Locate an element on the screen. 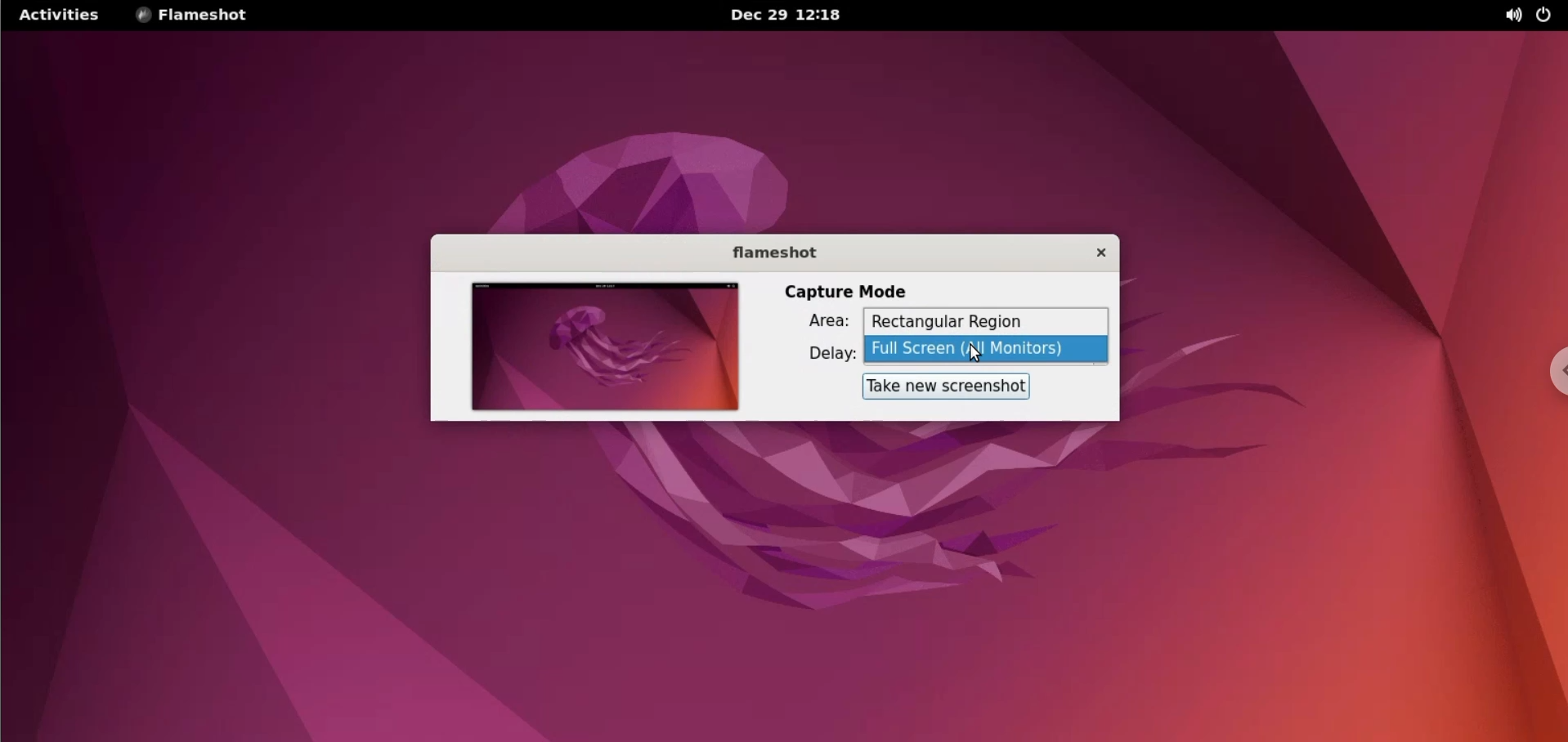 Image resolution: width=1568 pixels, height=742 pixels. Date and time Dec 29 12:18 is located at coordinates (788, 16).